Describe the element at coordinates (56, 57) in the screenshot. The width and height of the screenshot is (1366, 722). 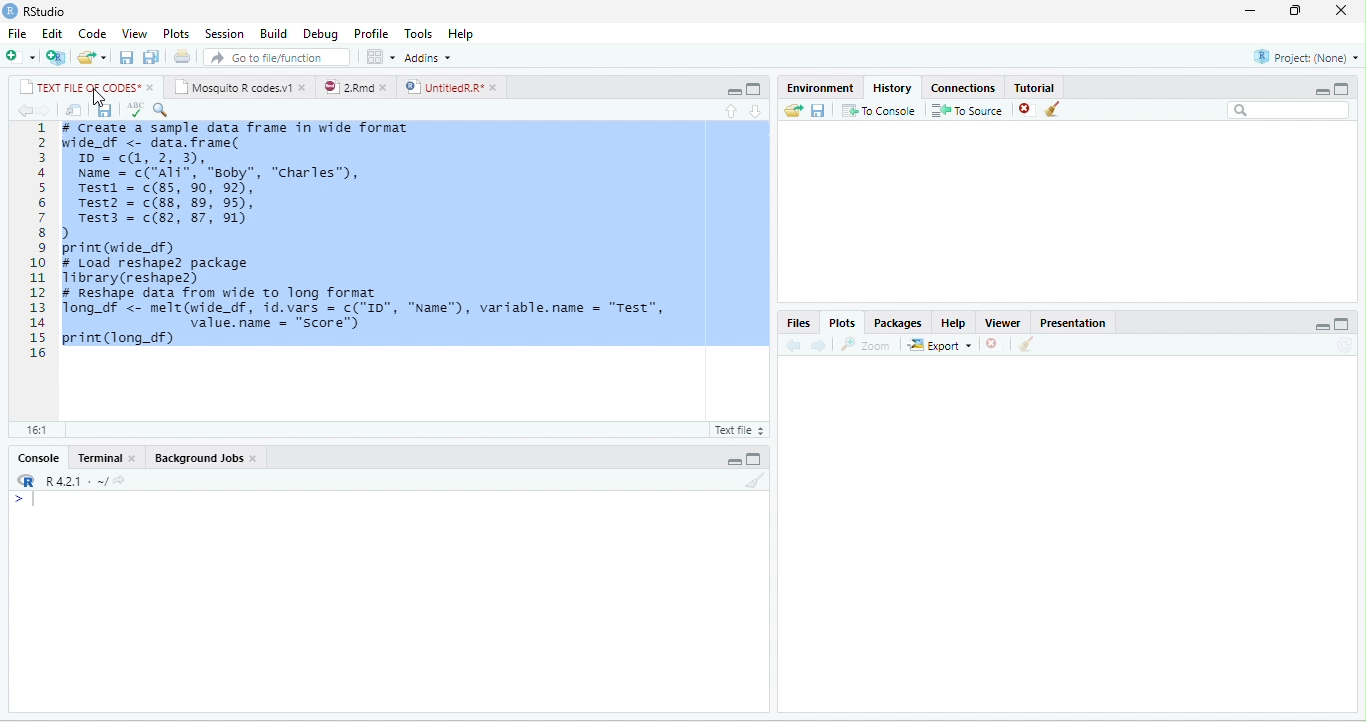
I see `new project` at that location.